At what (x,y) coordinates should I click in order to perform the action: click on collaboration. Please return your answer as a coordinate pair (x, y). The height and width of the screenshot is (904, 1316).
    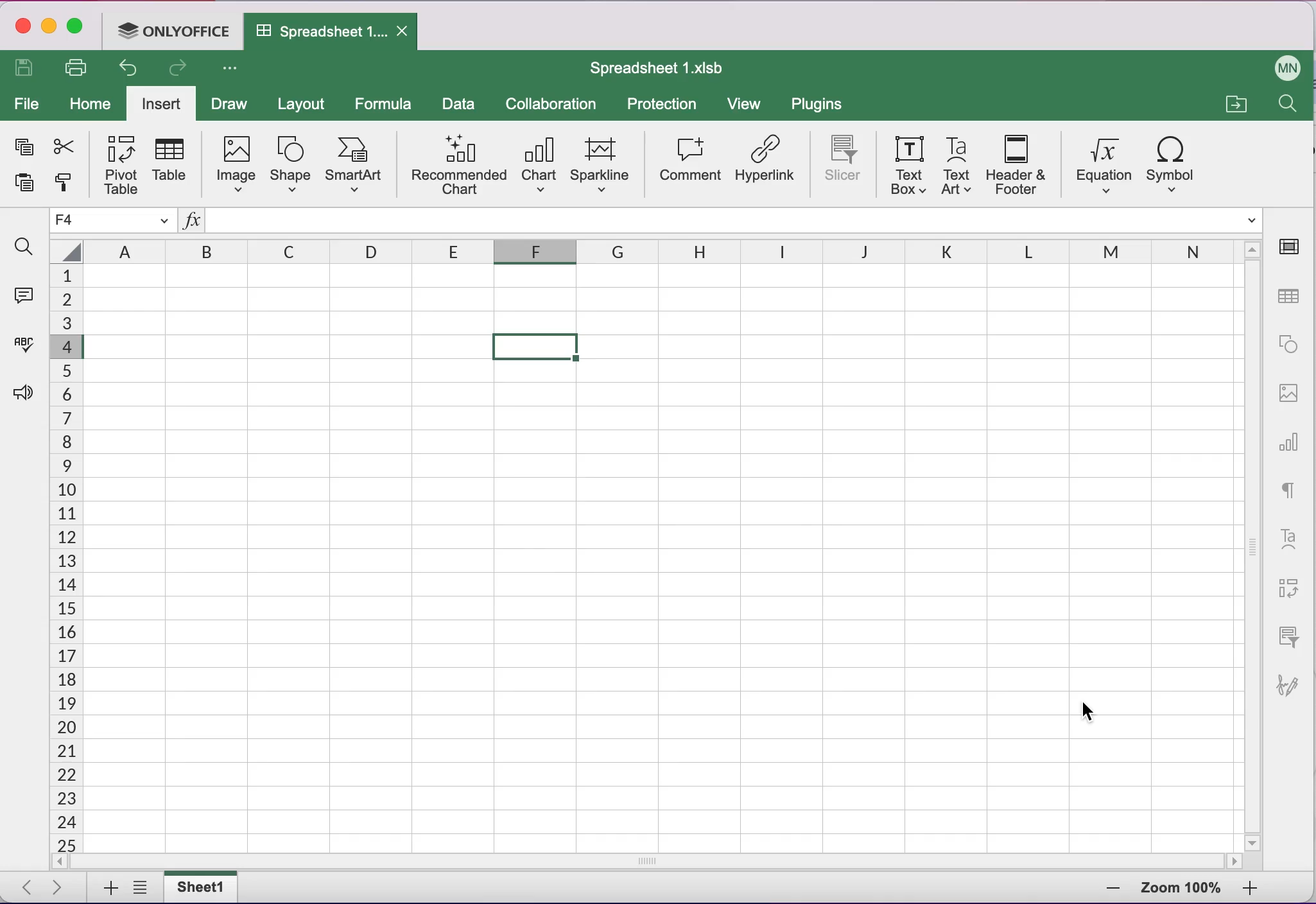
    Looking at the image, I should click on (558, 103).